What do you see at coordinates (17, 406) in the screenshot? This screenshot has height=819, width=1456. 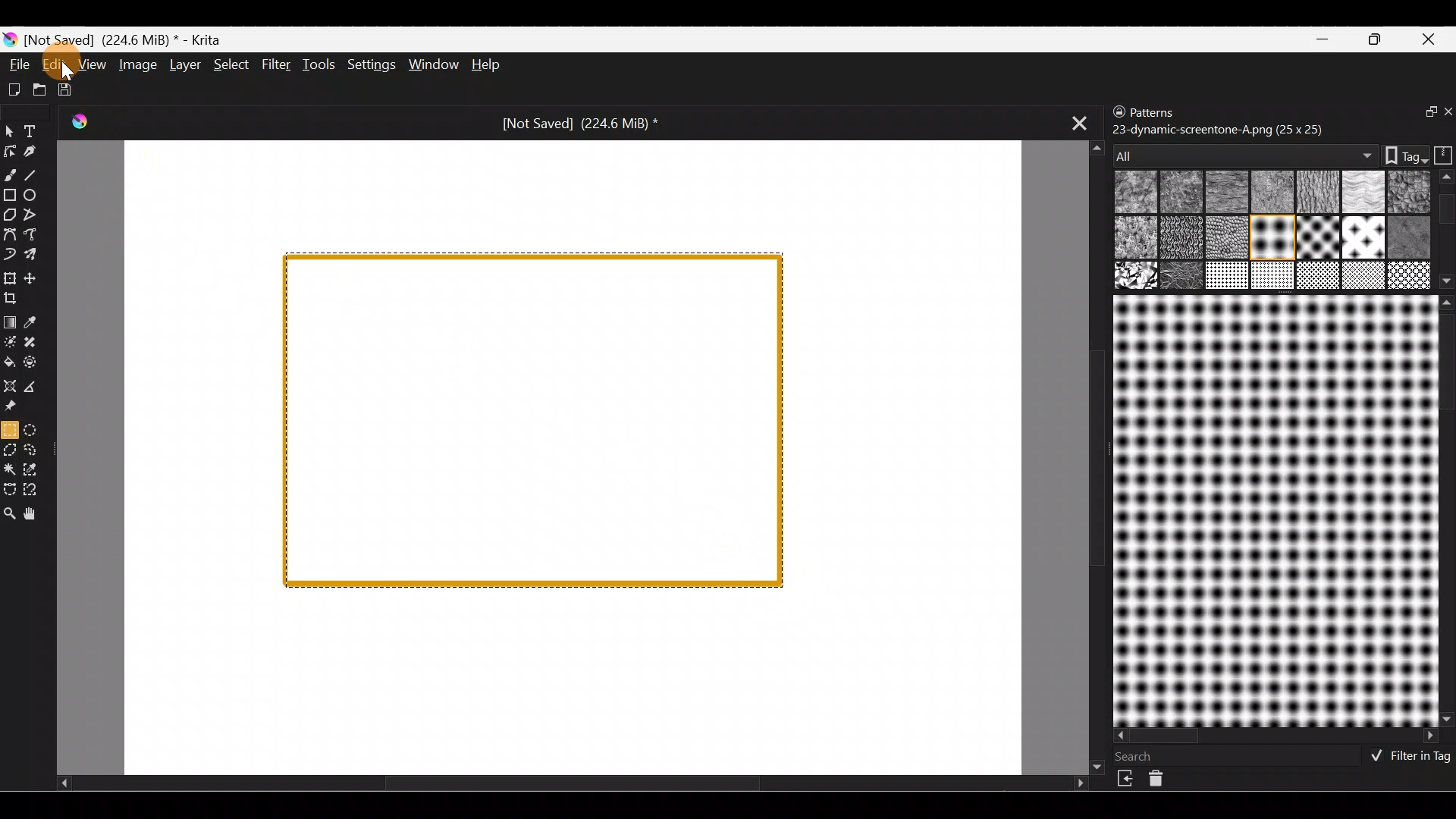 I see `Reference images tool` at bounding box center [17, 406].